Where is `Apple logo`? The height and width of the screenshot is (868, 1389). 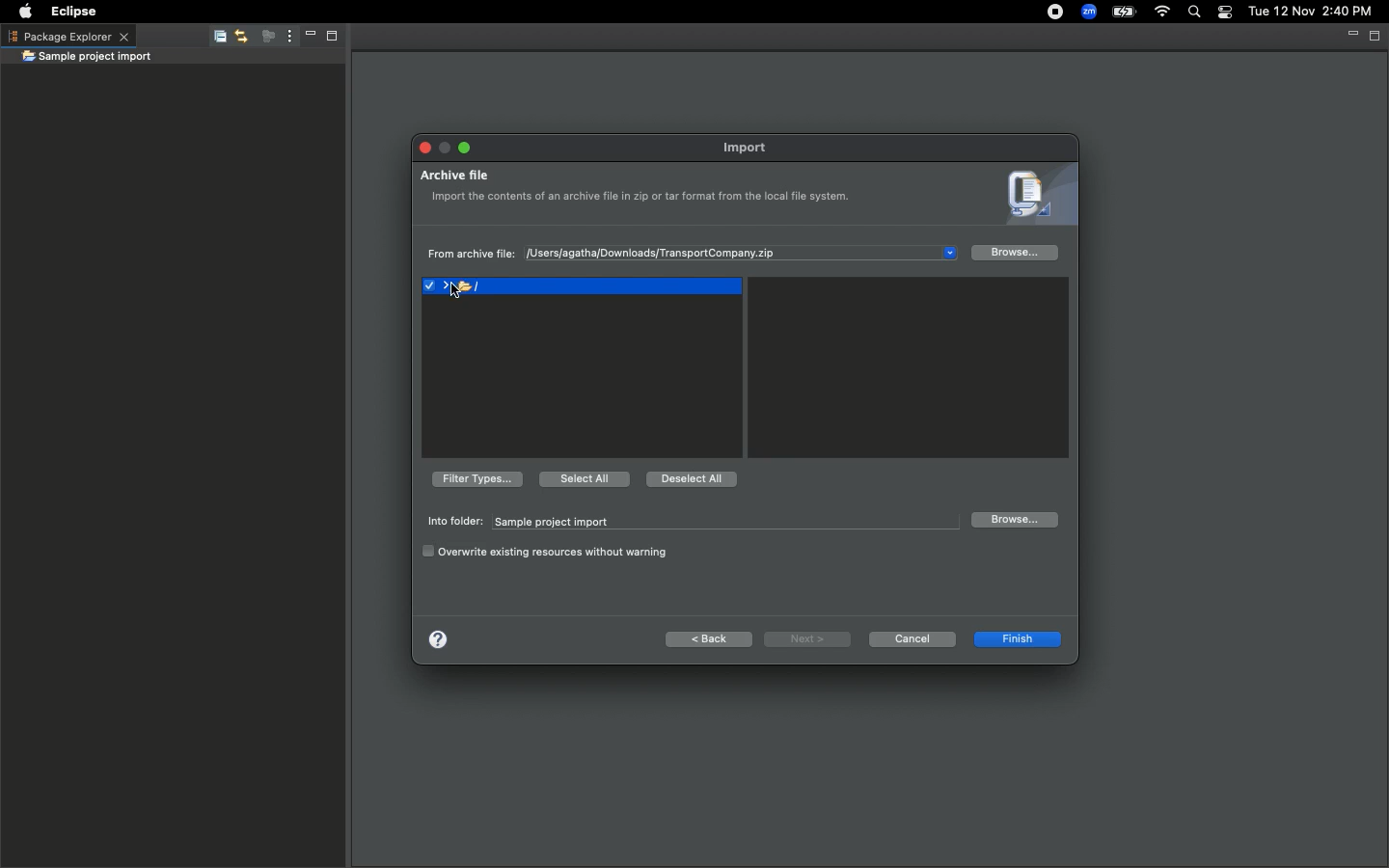
Apple logo is located at coordinates (25, 10).